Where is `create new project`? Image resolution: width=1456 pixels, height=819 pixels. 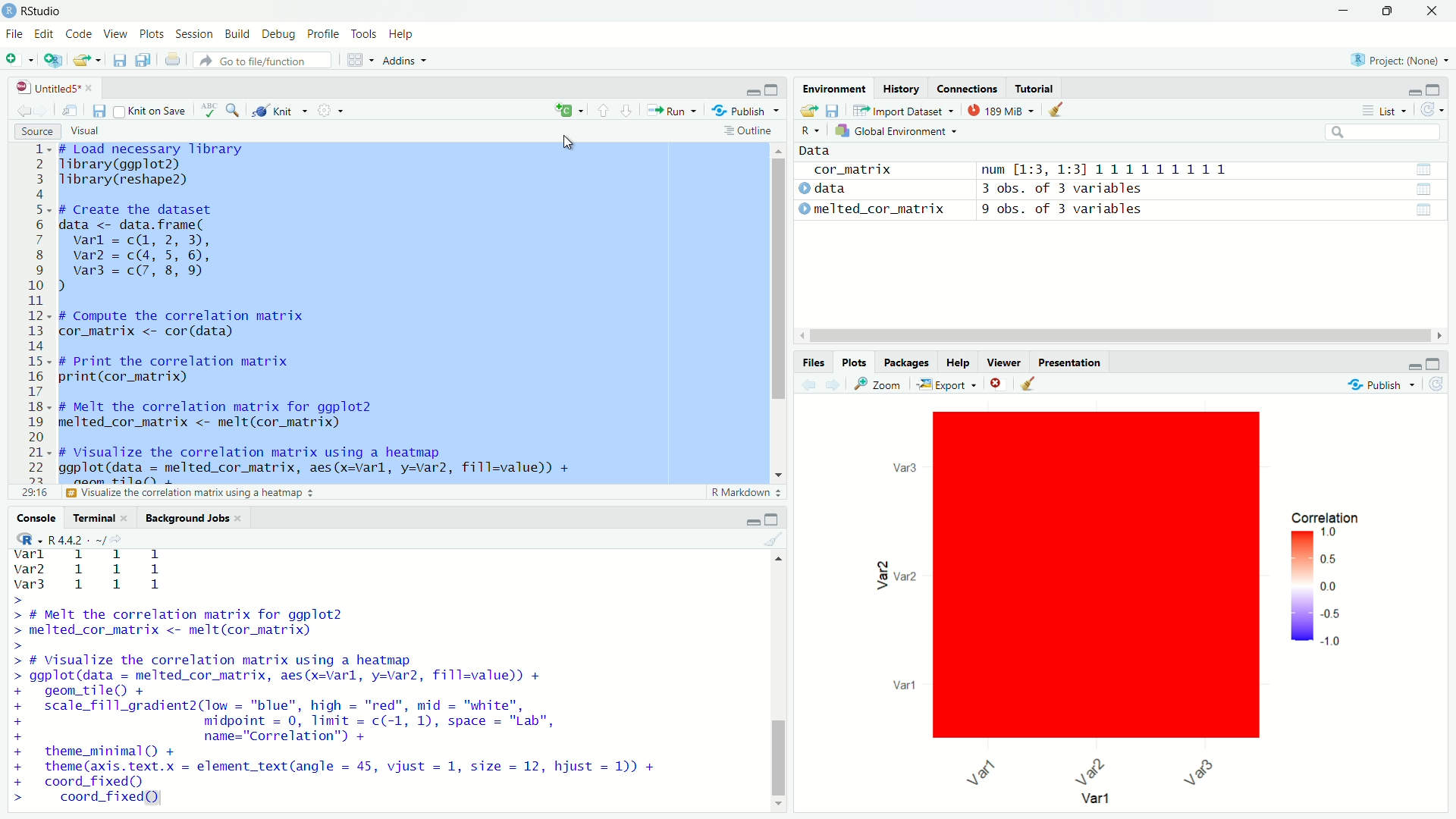
create new project is located at coordinates (51, 59).